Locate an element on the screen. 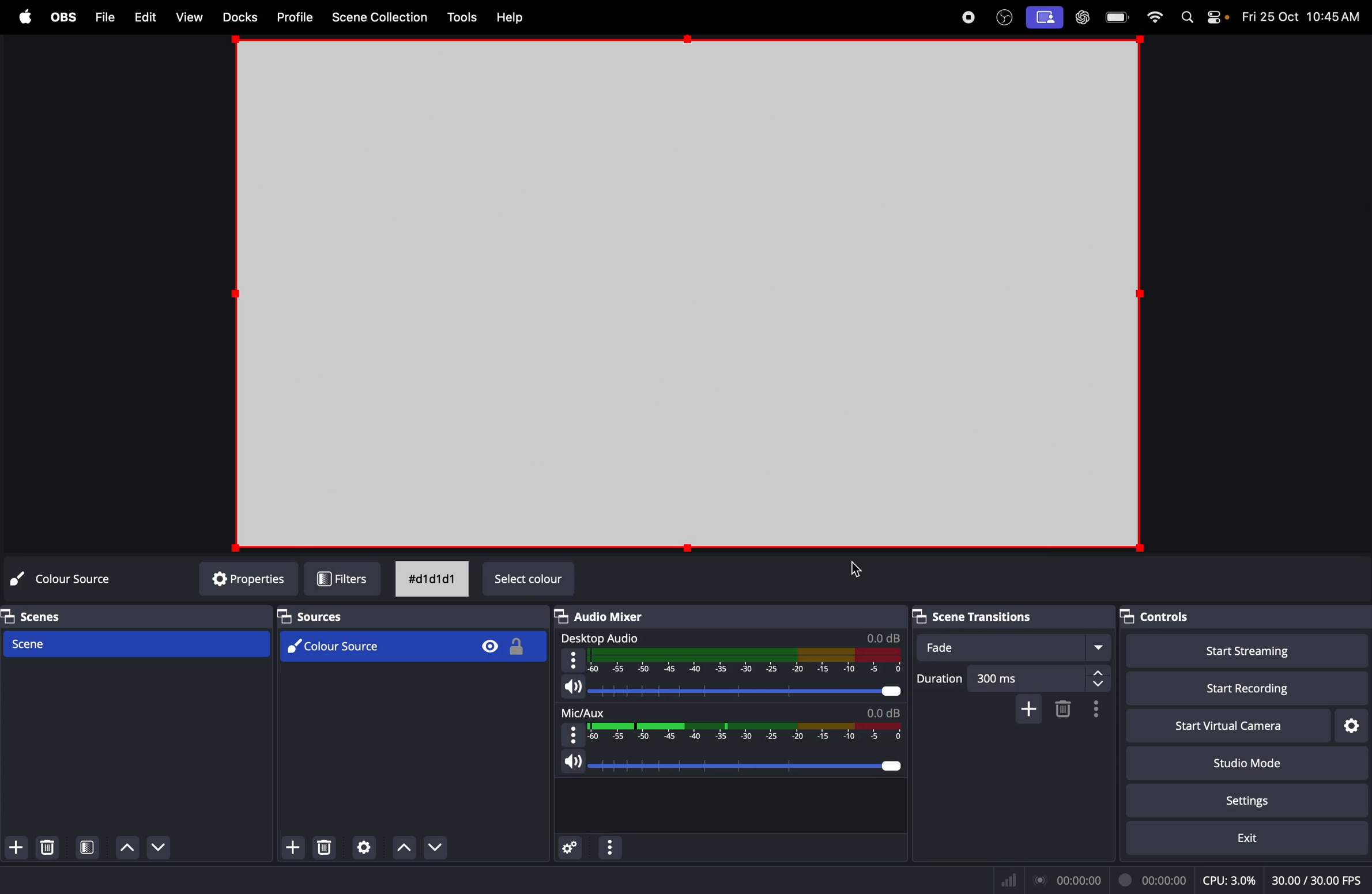 Image resolution: width=1372 pixels, height=894 pixels. Move scene up is located at coordinates (165, 850).